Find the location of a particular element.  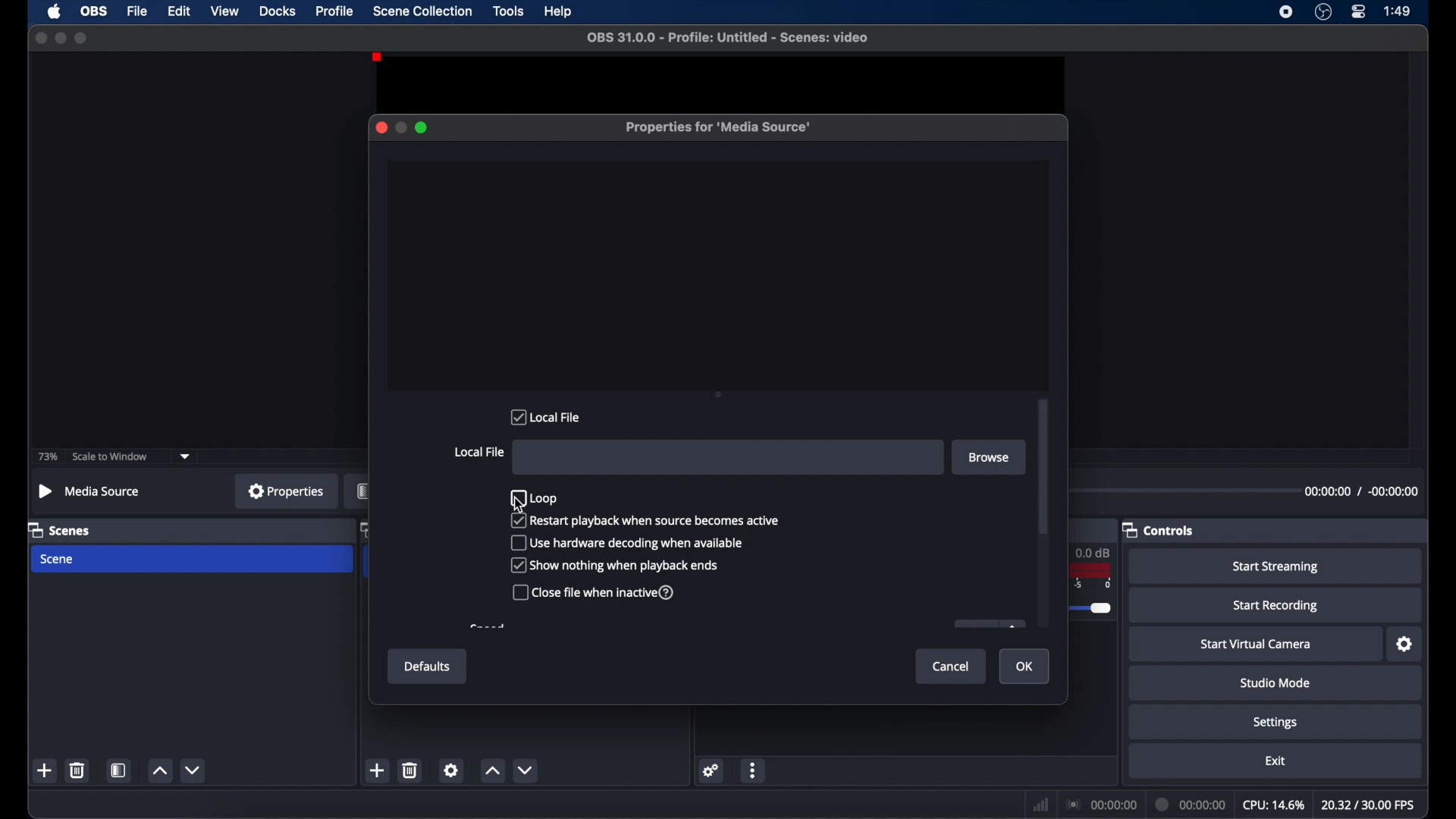

delete is located at coordinates (77, 770).